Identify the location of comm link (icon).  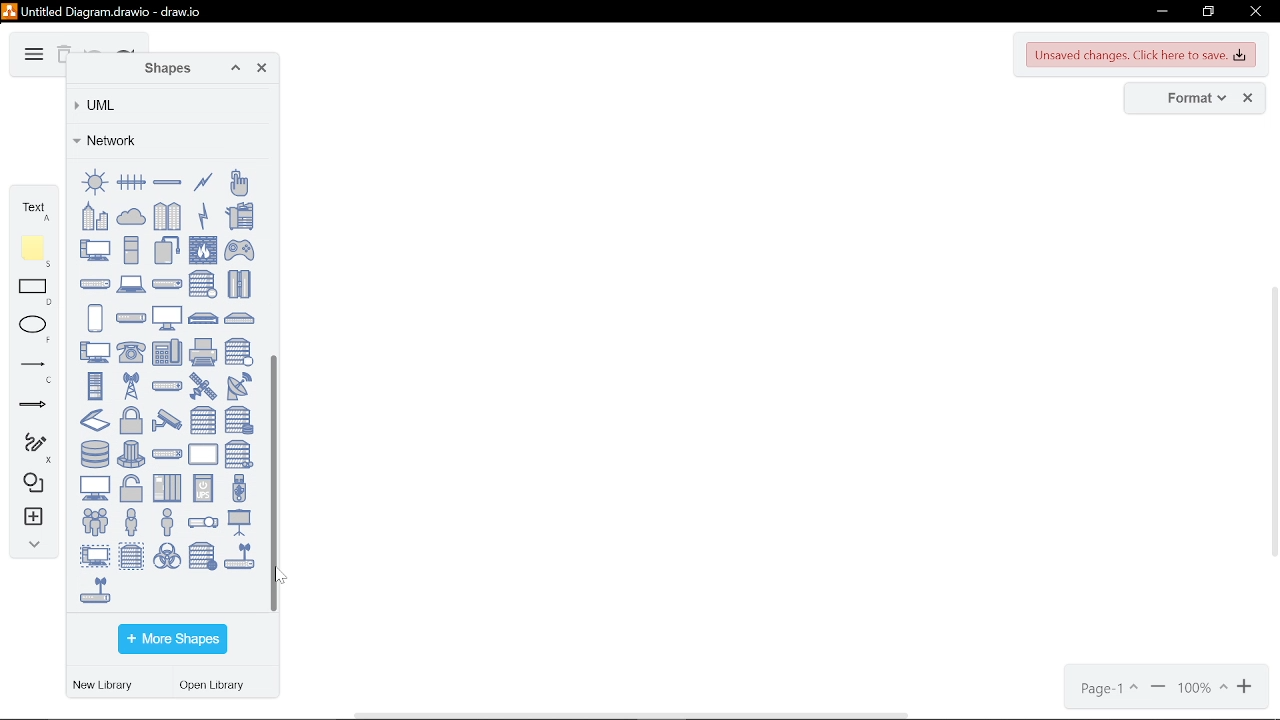
(203, 215).